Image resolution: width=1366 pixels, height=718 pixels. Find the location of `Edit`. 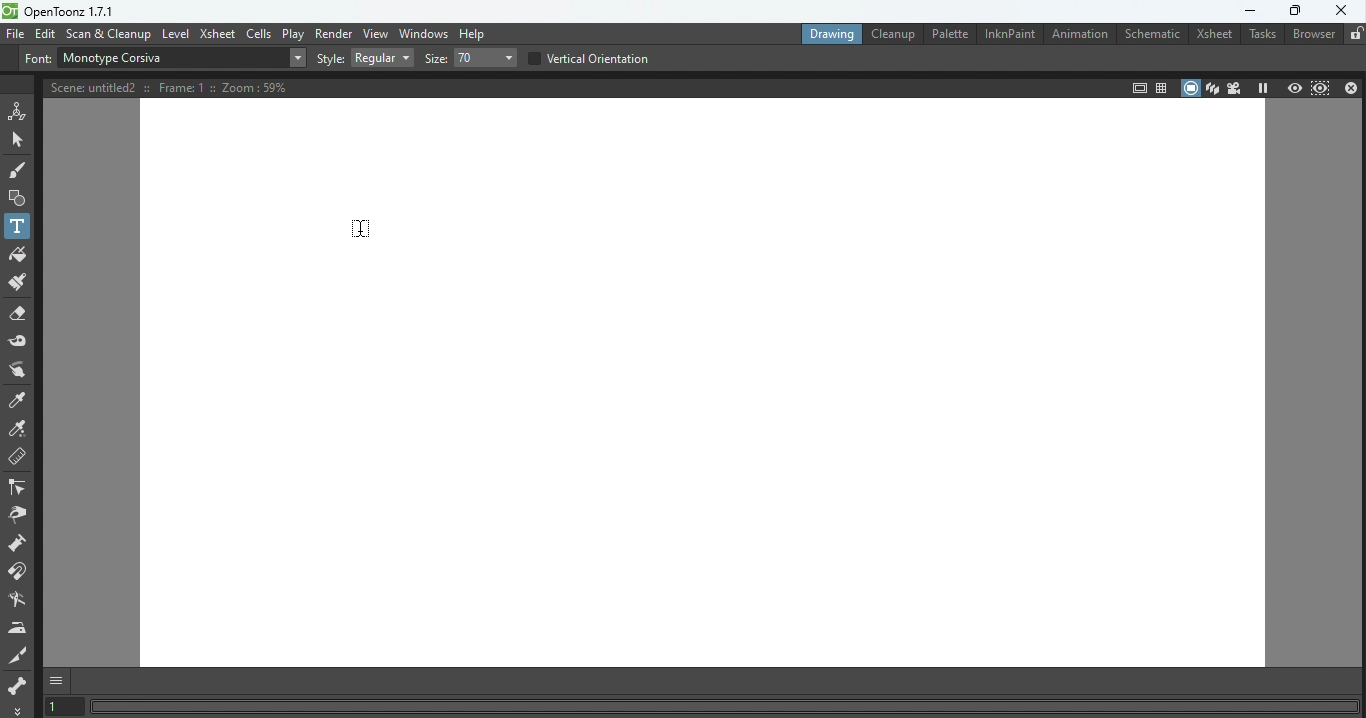

Edit is located at coordinates (47, 33).